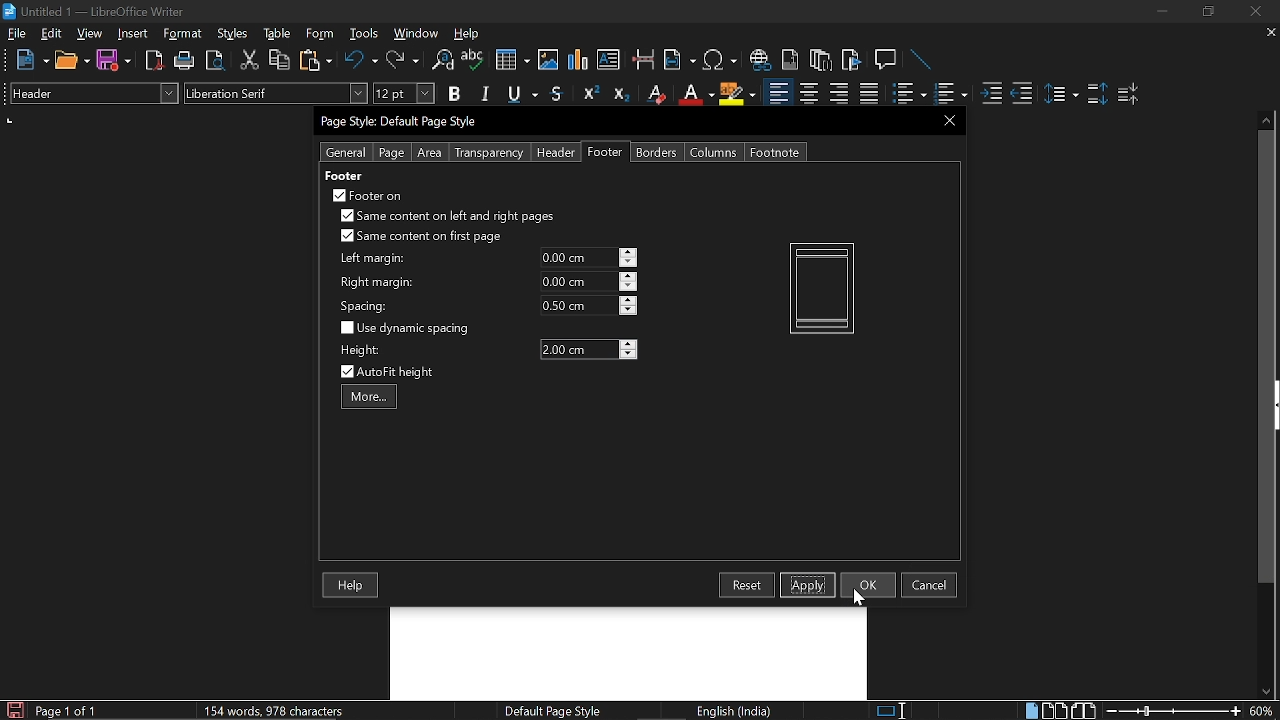 Image resolution: width=1280 pixels, height=720 pixels. Describe the element at coordinates (185, 61) in the screenshot. I see `Print` at that location.